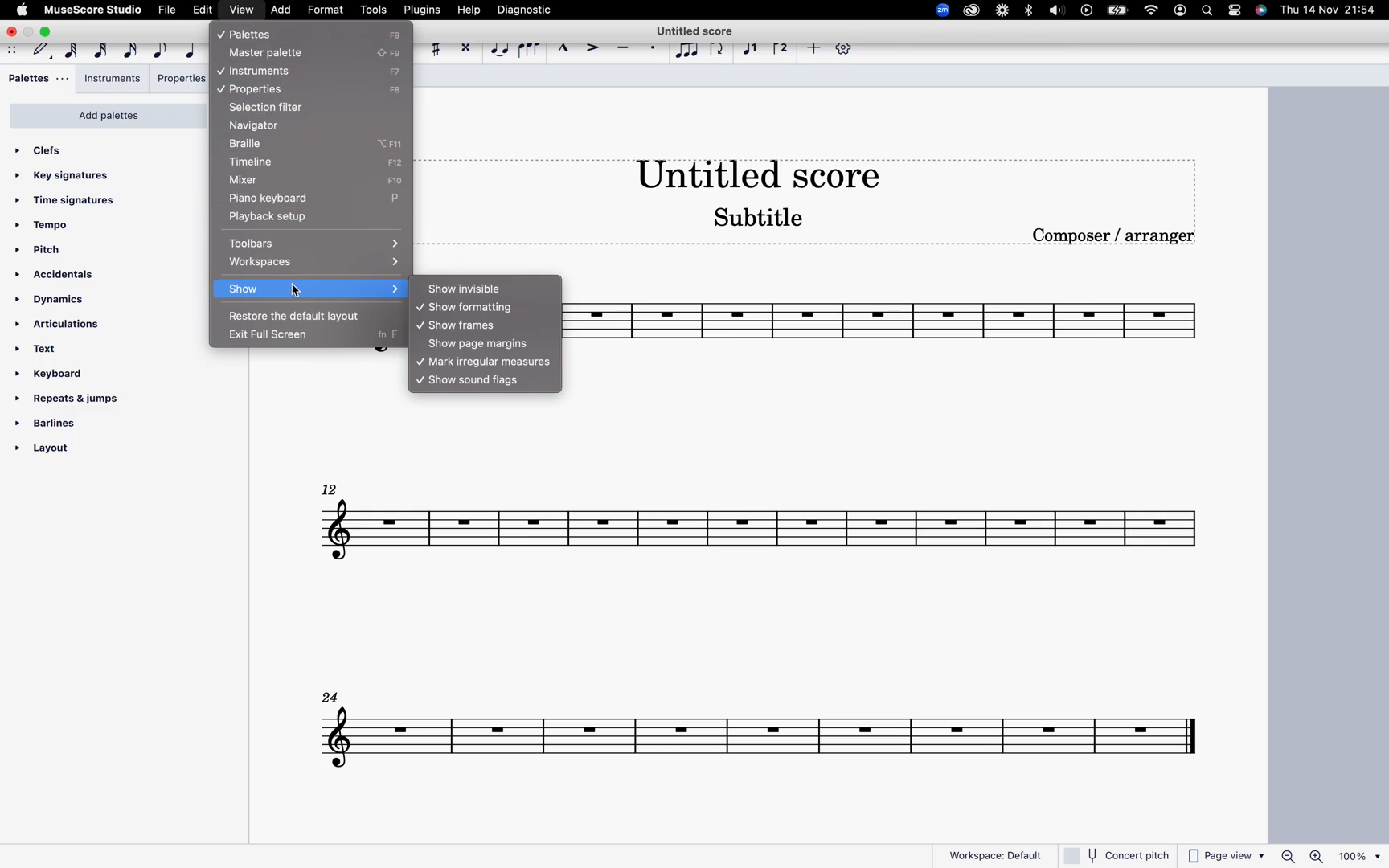 Image resolution: width=1389 pixels, height=868 pixels. I want to click on F8, so click(391, 91).